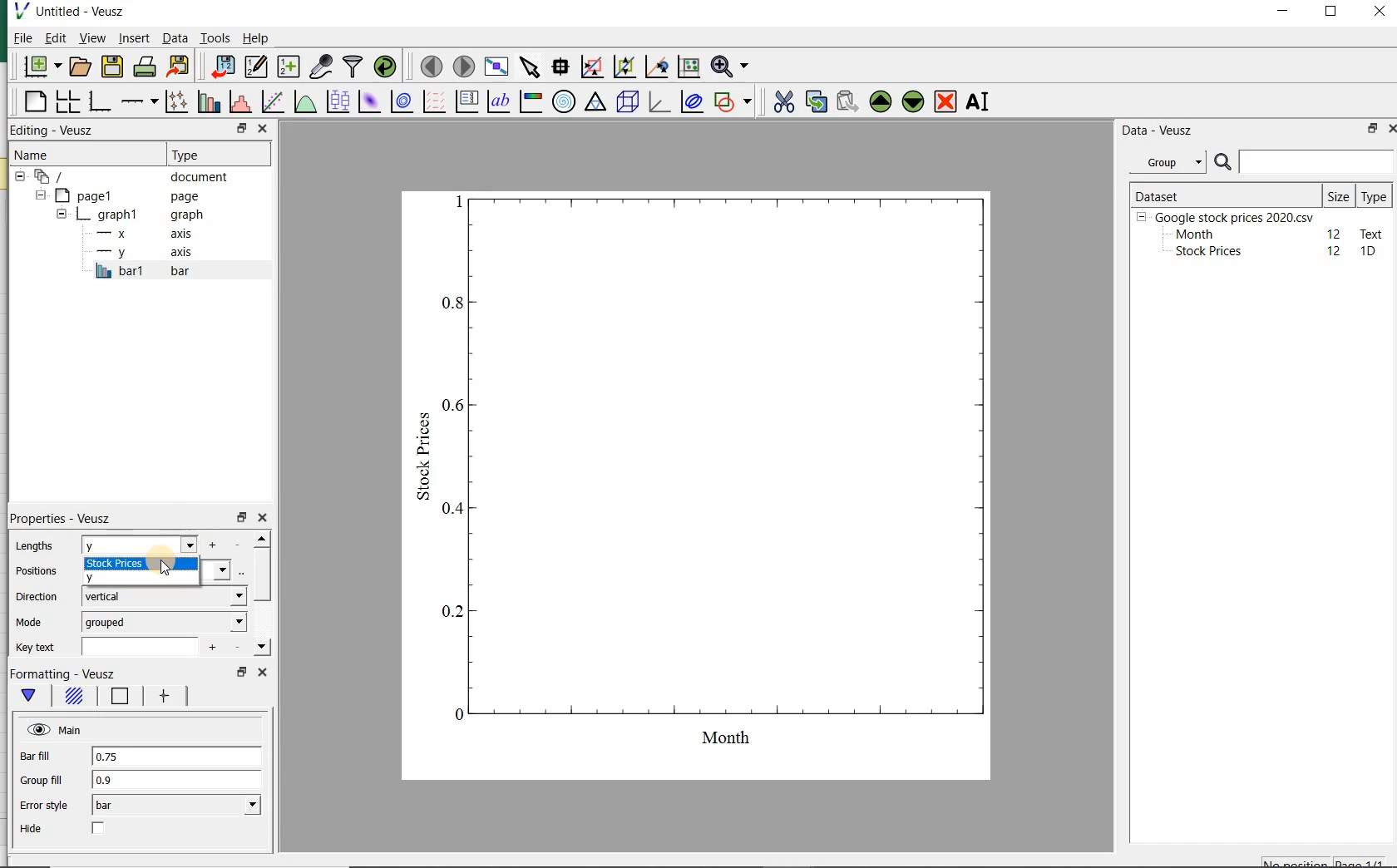 The width and height of the screenshot is (1397, 868). What do you see at coordinates (92, 39) in the screenshot?
I see `view` at bounding box center [92, 39].